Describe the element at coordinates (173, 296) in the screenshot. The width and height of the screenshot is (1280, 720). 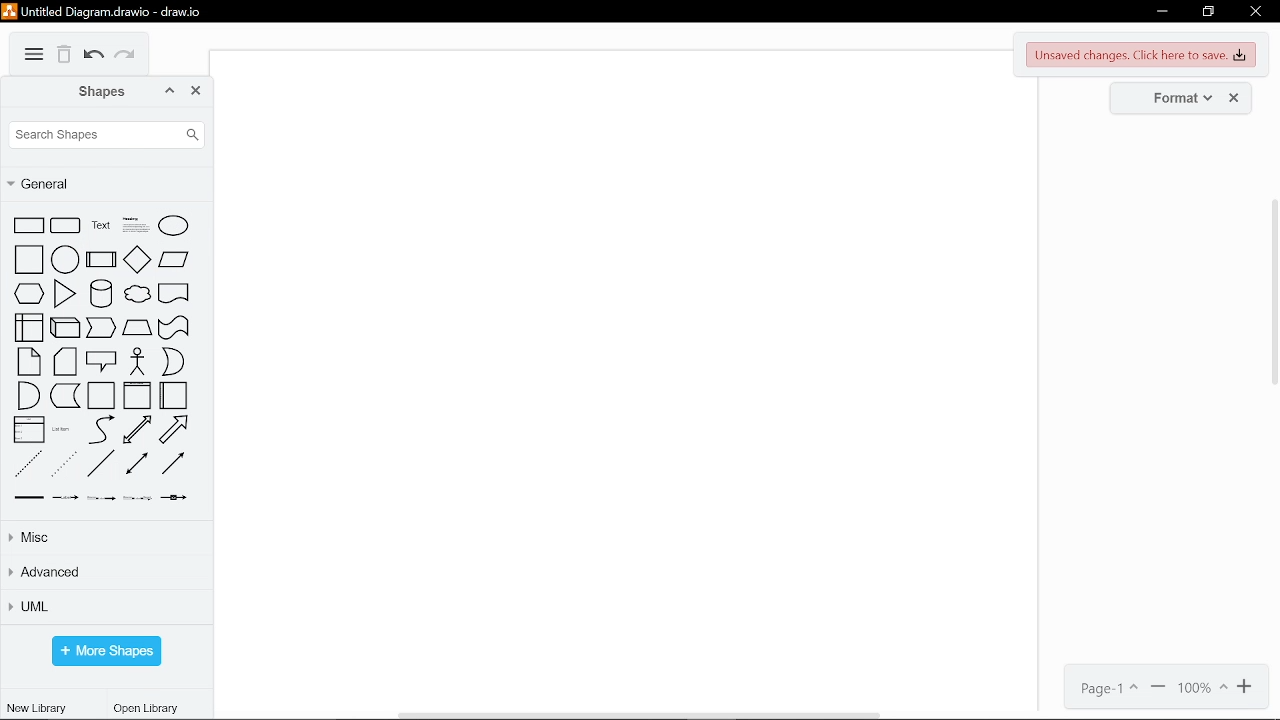
I see `document` at that location.